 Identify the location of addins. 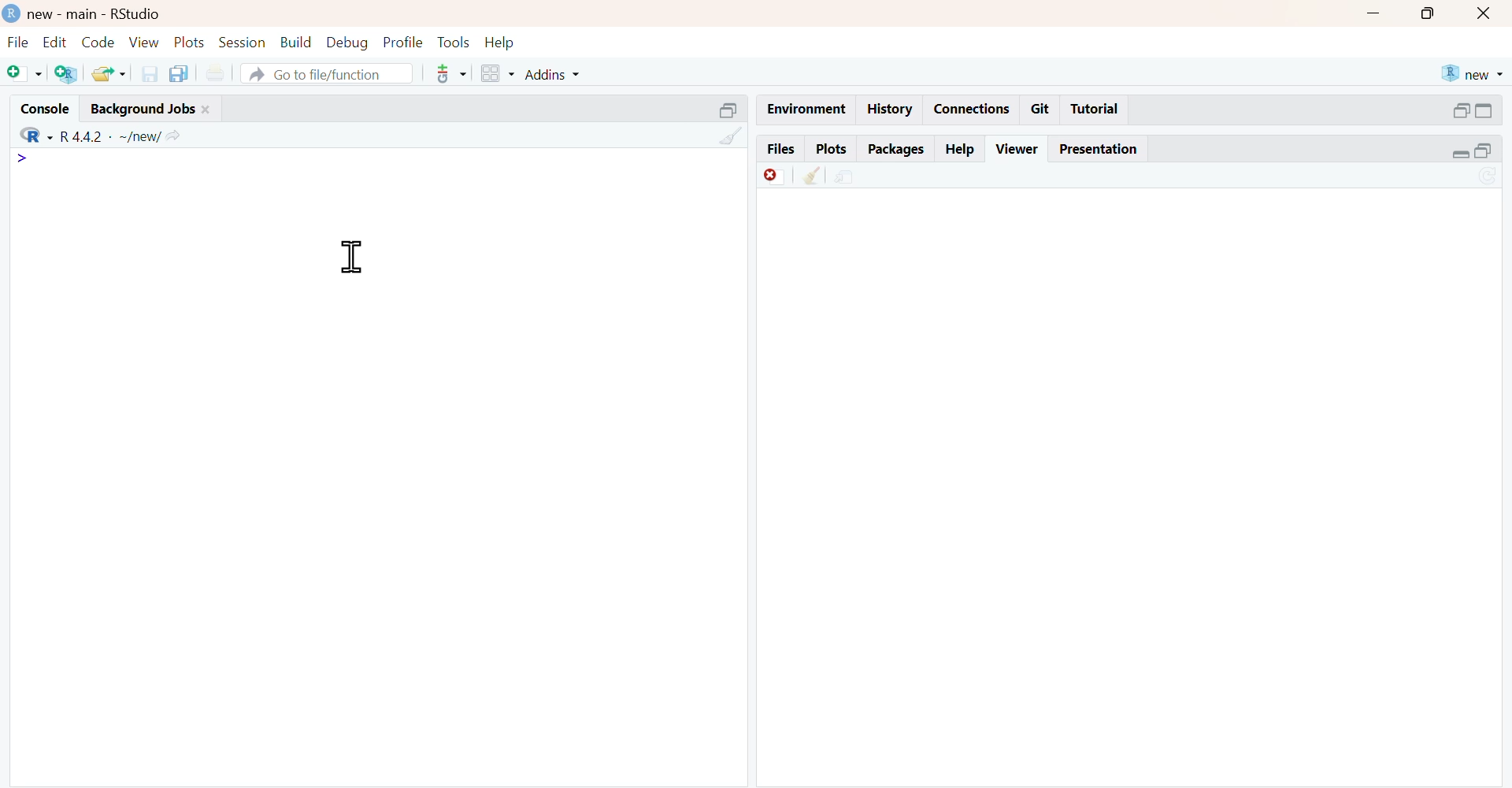
(552, 75).